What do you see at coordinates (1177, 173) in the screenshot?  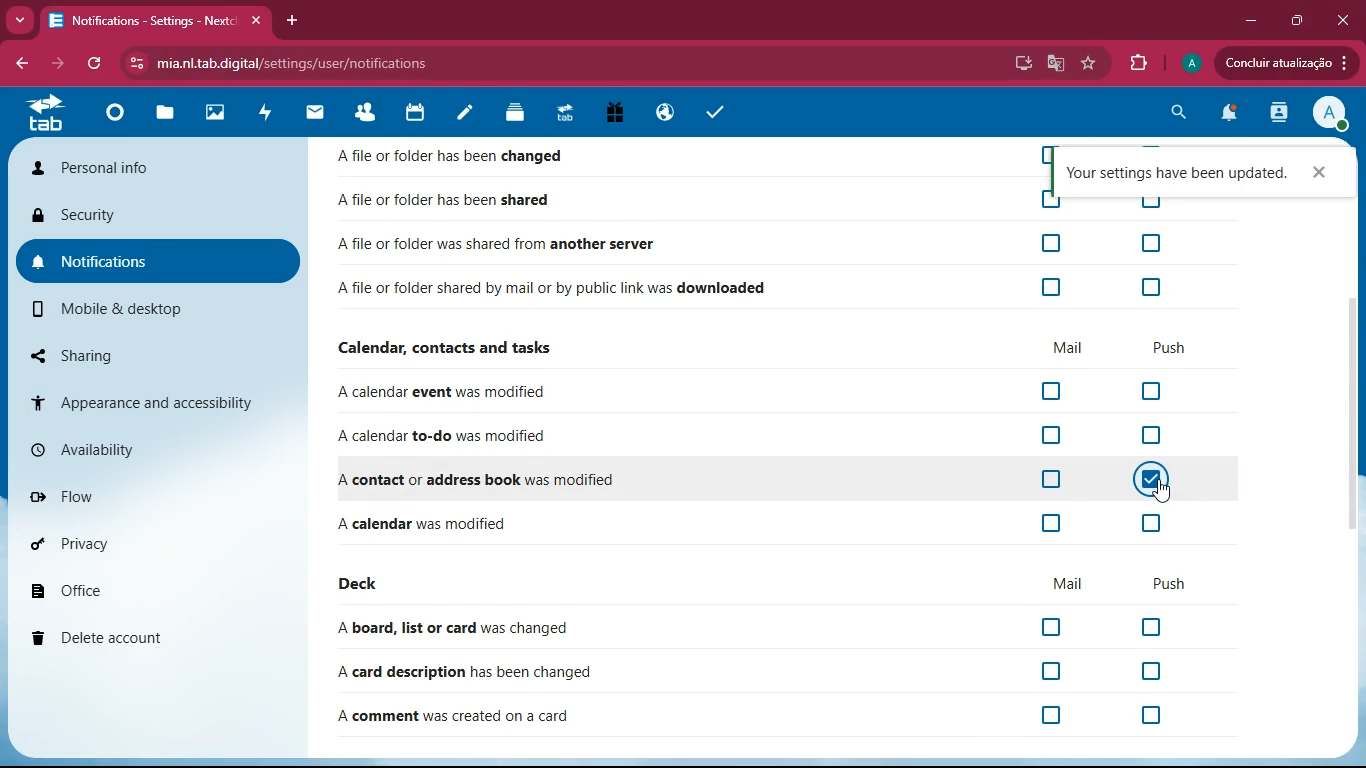 I see `Your settings have been updated` at bounding box center [1177, 173].